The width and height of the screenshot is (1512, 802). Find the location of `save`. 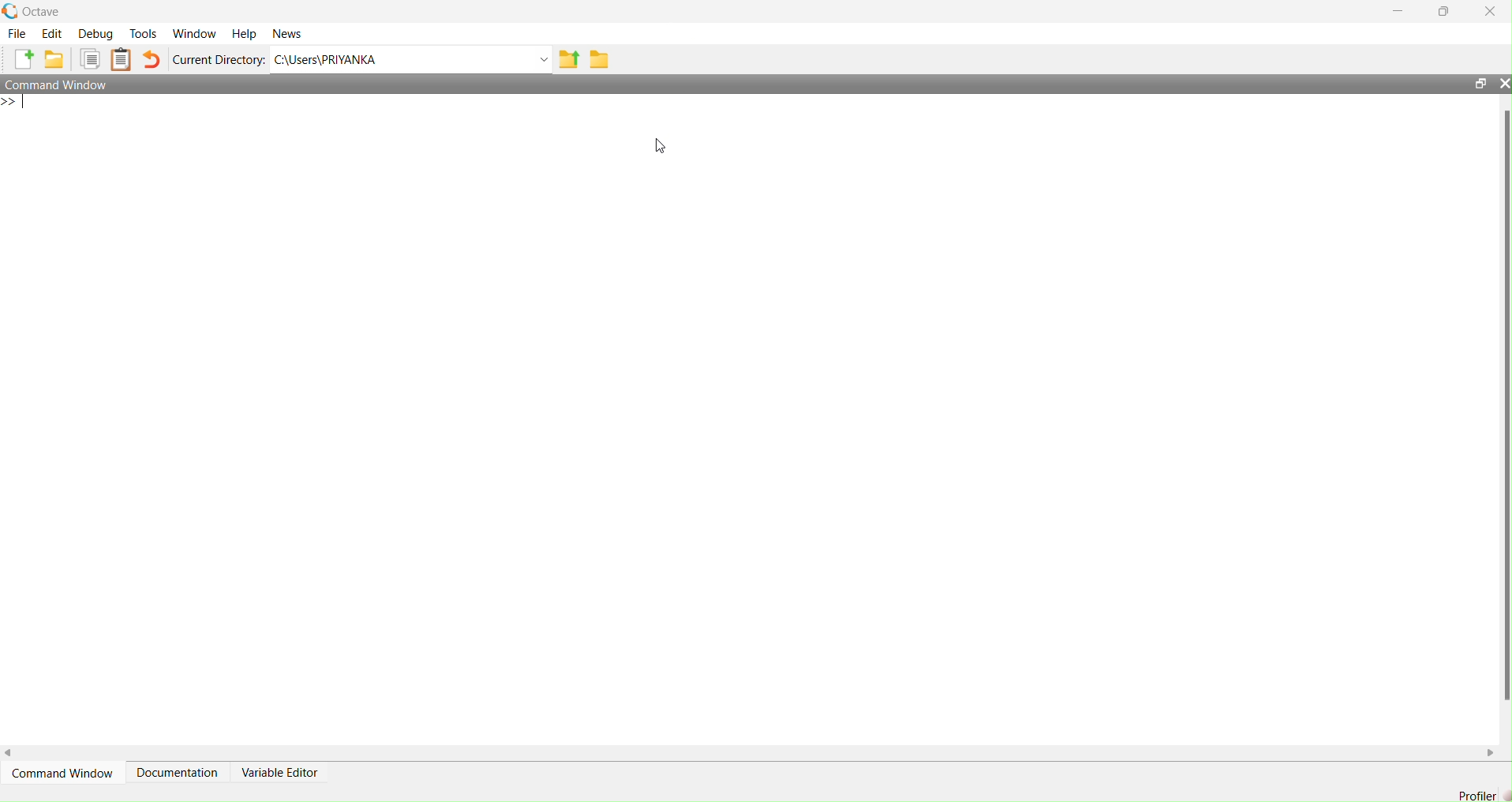

save is located at coordinates (601, 61).